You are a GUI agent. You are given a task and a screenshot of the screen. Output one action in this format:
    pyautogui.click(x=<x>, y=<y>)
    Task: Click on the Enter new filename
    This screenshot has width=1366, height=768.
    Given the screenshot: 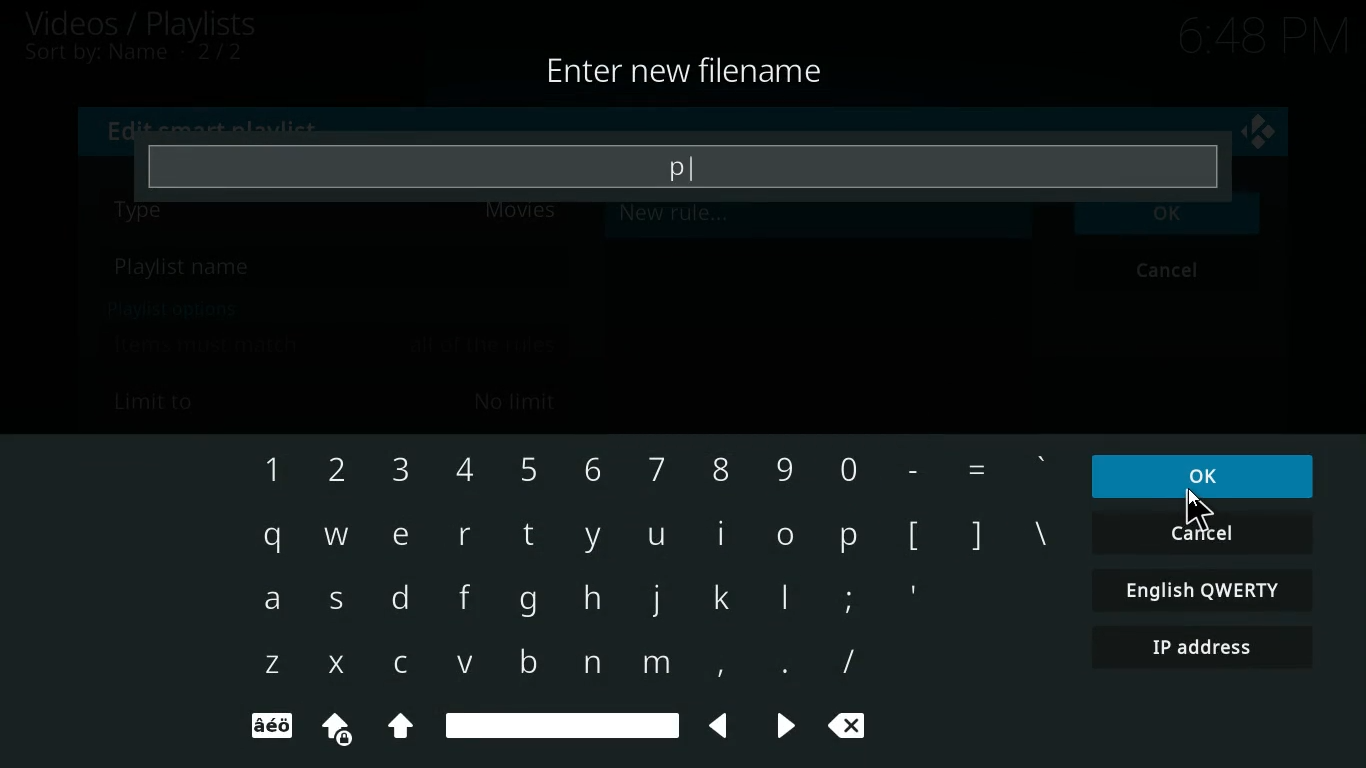 What is the action you would take?
    pyautogui.click(x=687, y=73)
    